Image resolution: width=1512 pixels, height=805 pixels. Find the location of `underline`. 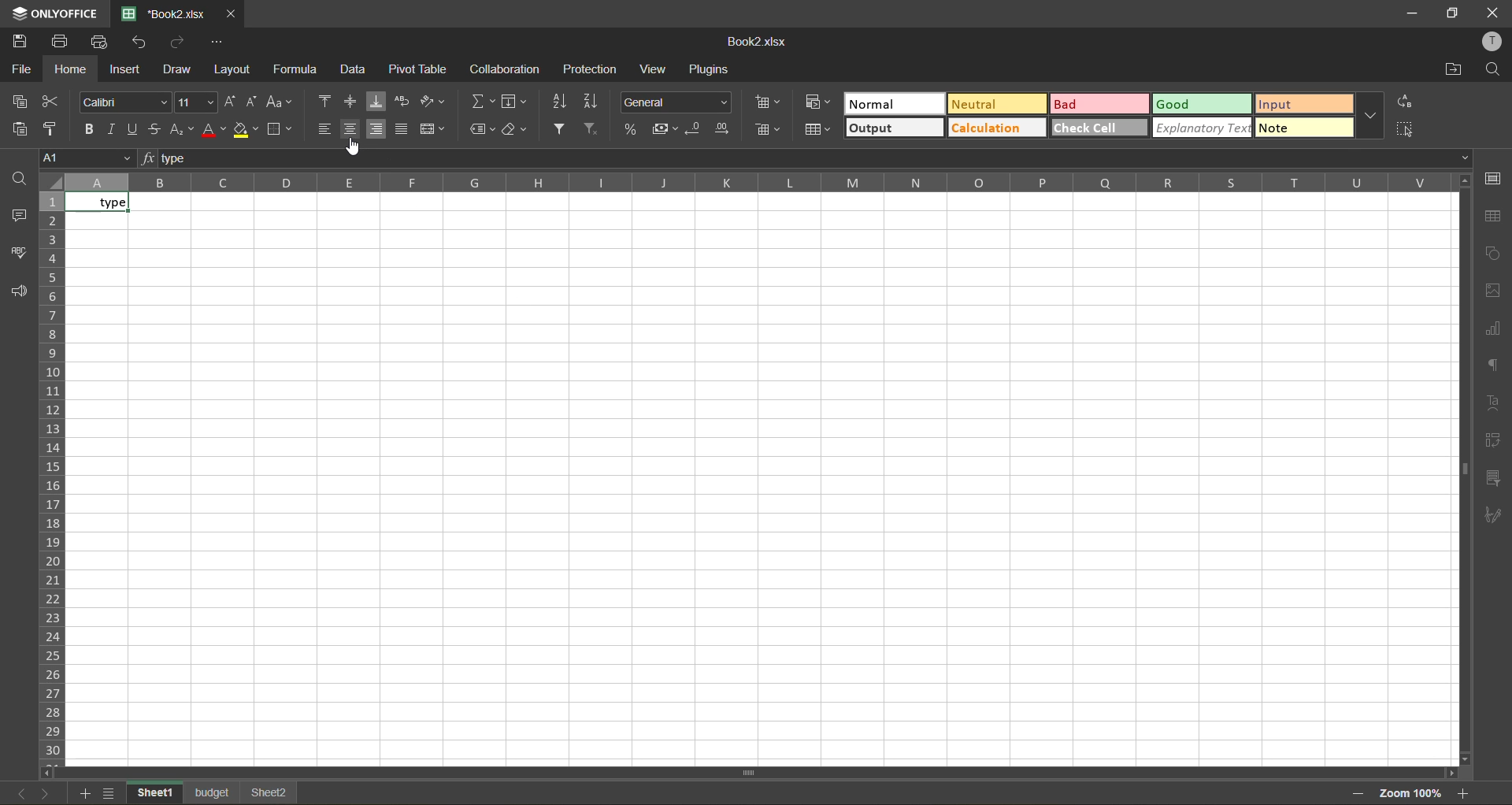

underline is located at coordinates (135, 132).